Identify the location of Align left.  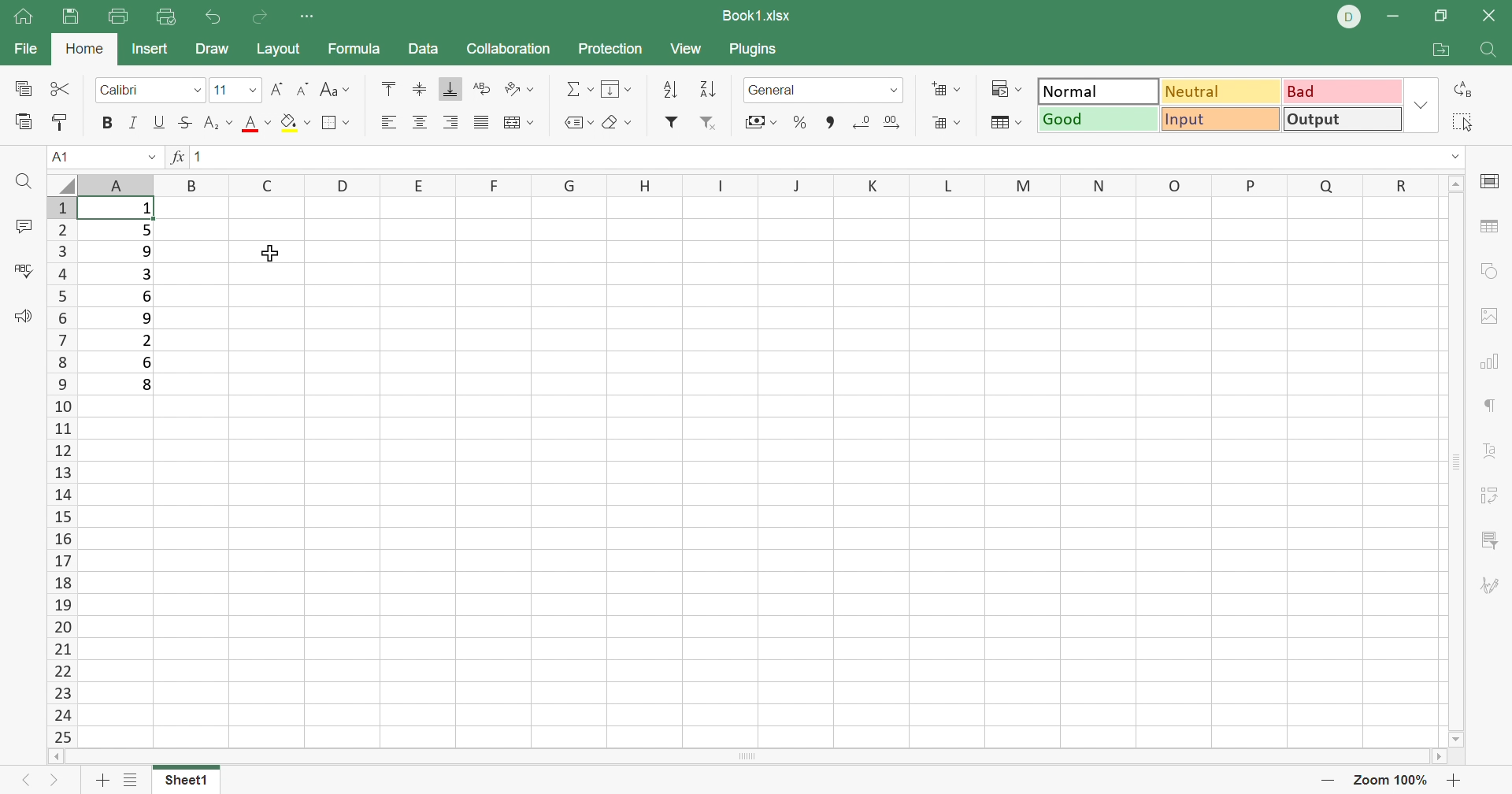
(388, 122).